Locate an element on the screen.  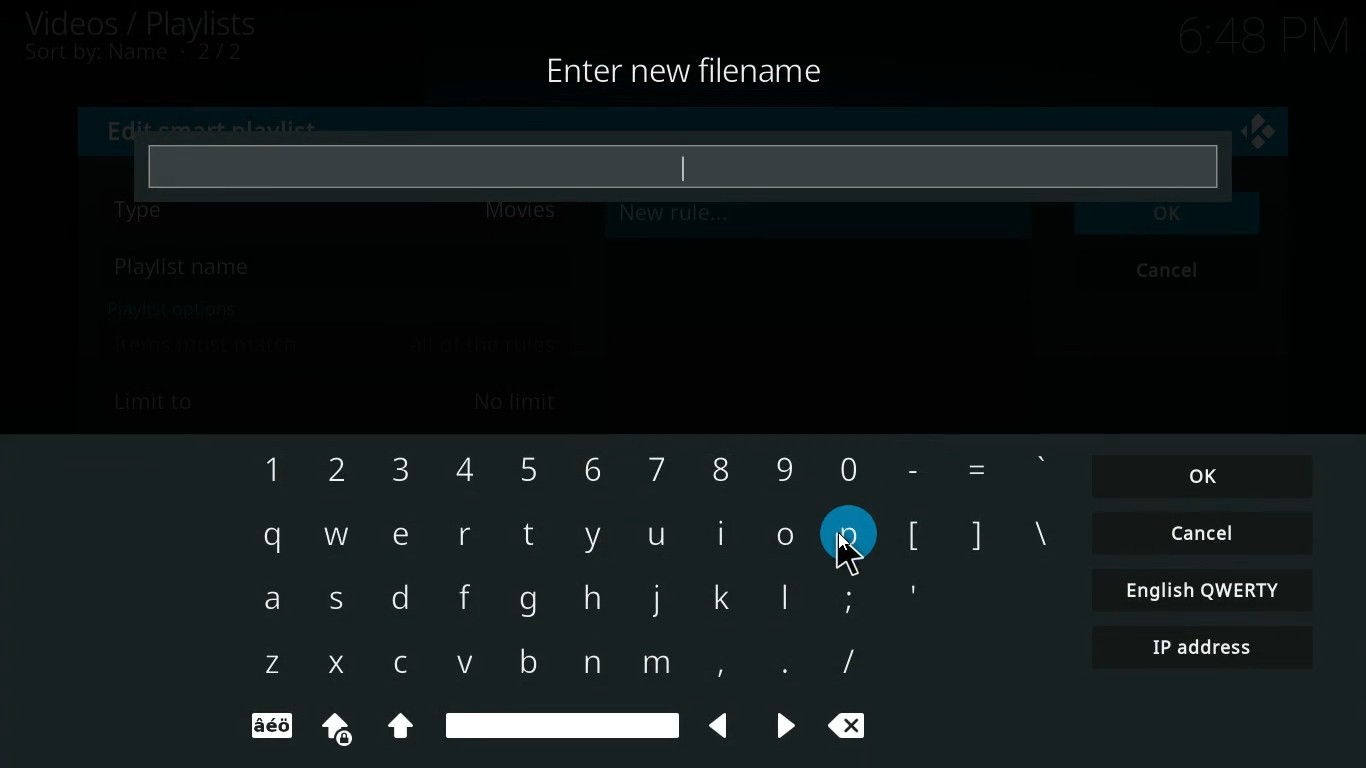
i is located at coordinates (723, 534).